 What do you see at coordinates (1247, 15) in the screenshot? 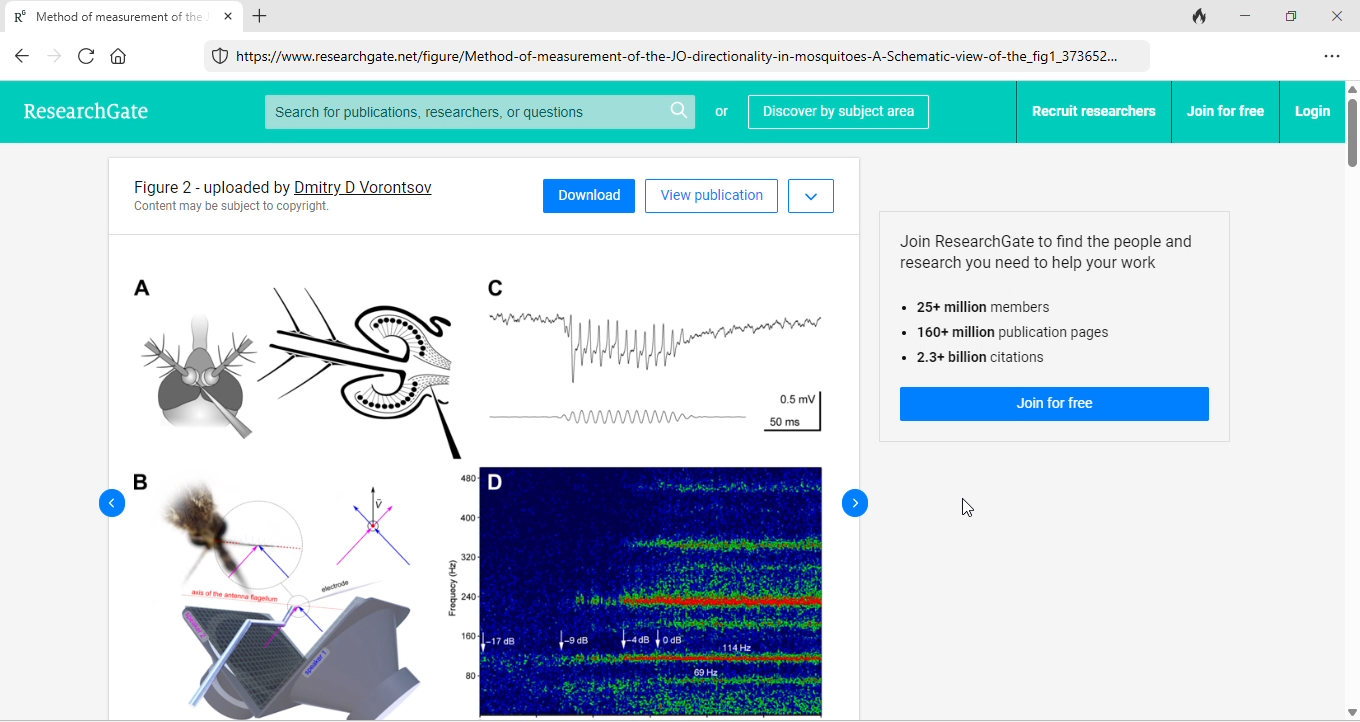
I see `minimize` at bounding box center [1247, 15].